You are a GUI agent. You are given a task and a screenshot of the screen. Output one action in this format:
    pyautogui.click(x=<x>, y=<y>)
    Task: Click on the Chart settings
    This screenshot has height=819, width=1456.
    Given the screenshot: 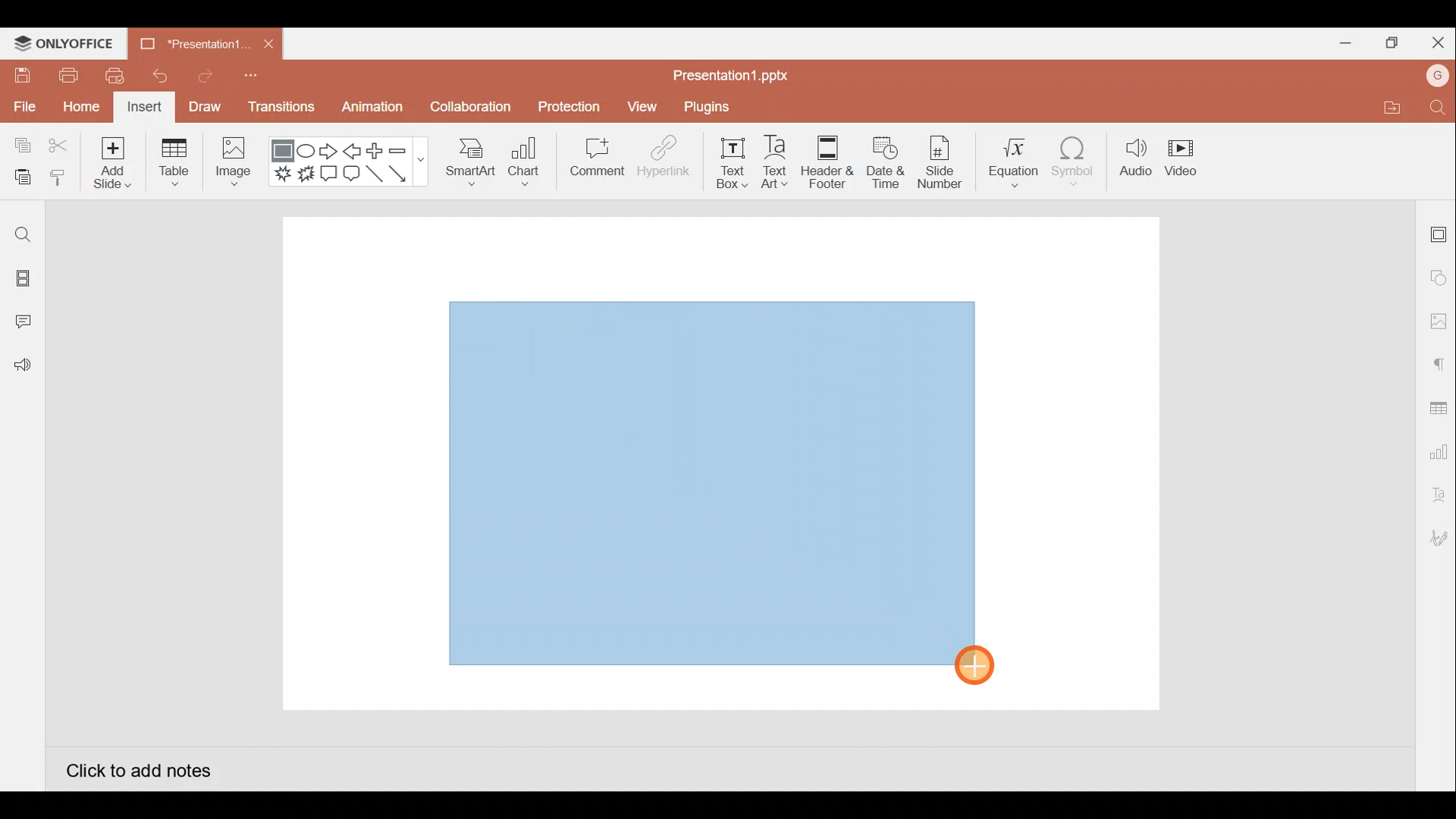 What is the action you would take?
    pyautogui.click(x=1436, y=449)
    